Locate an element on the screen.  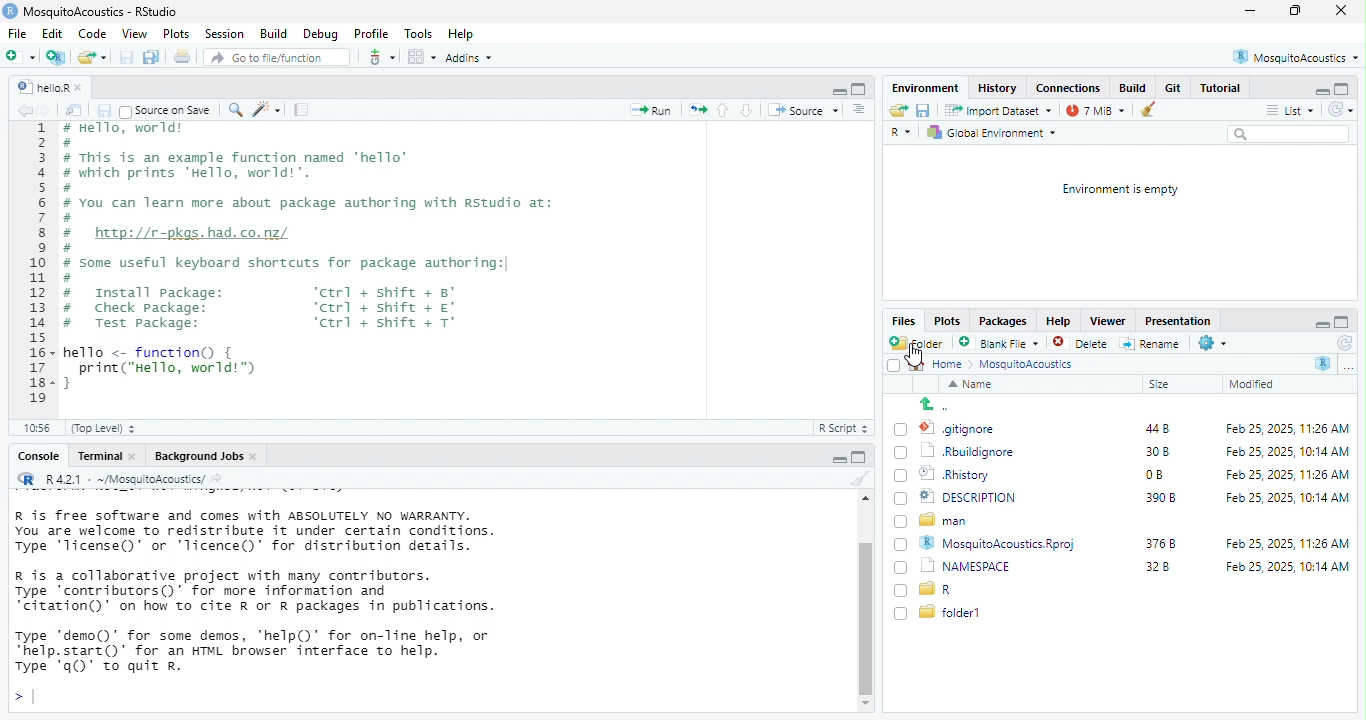
hide console is located at coordinates (861, 460).